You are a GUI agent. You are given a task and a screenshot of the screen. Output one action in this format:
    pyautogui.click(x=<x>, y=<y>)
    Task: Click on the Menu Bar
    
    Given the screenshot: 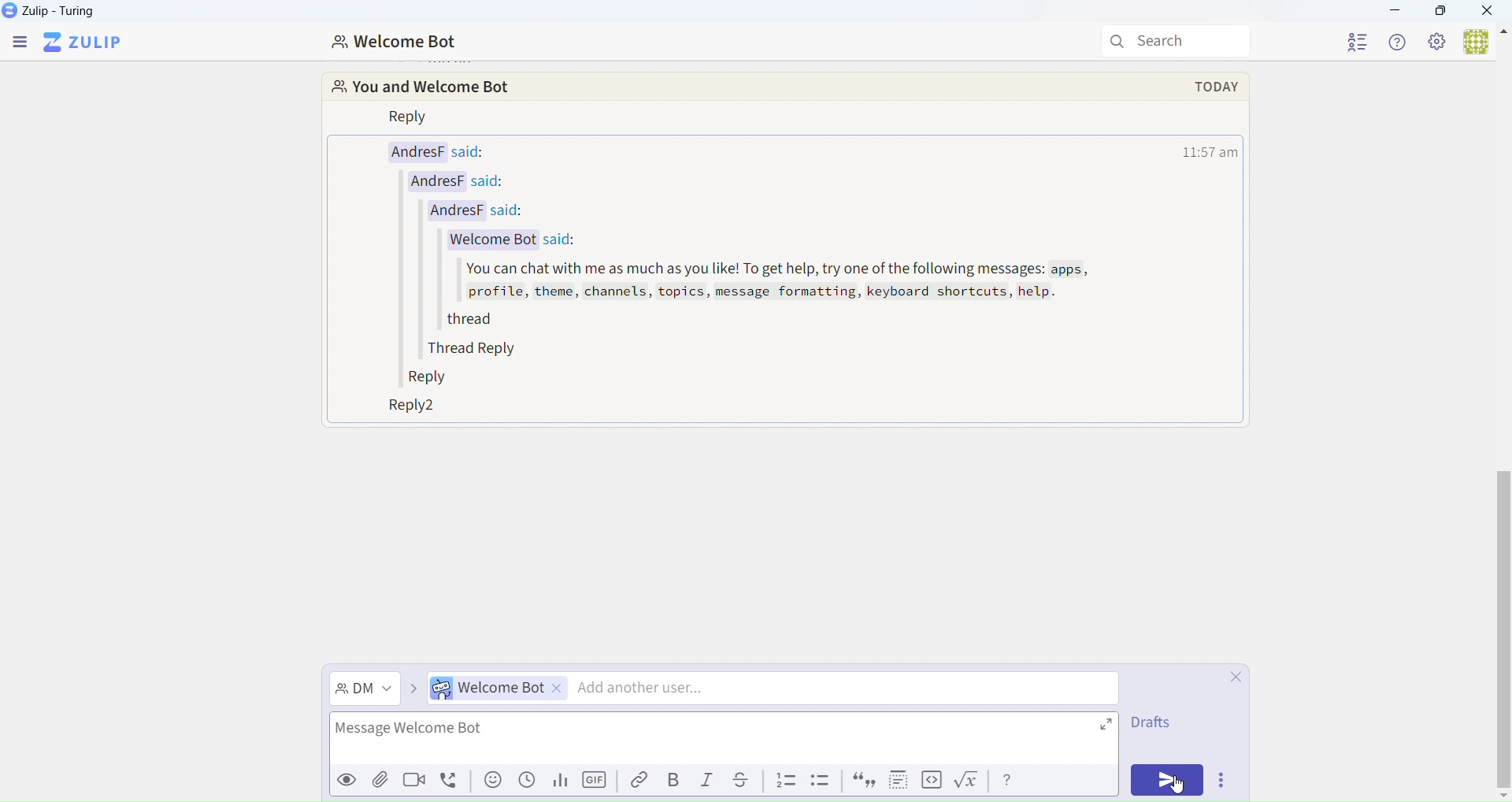 What is the action you would take?
    pyautogui.click(x=20, y=45)
    